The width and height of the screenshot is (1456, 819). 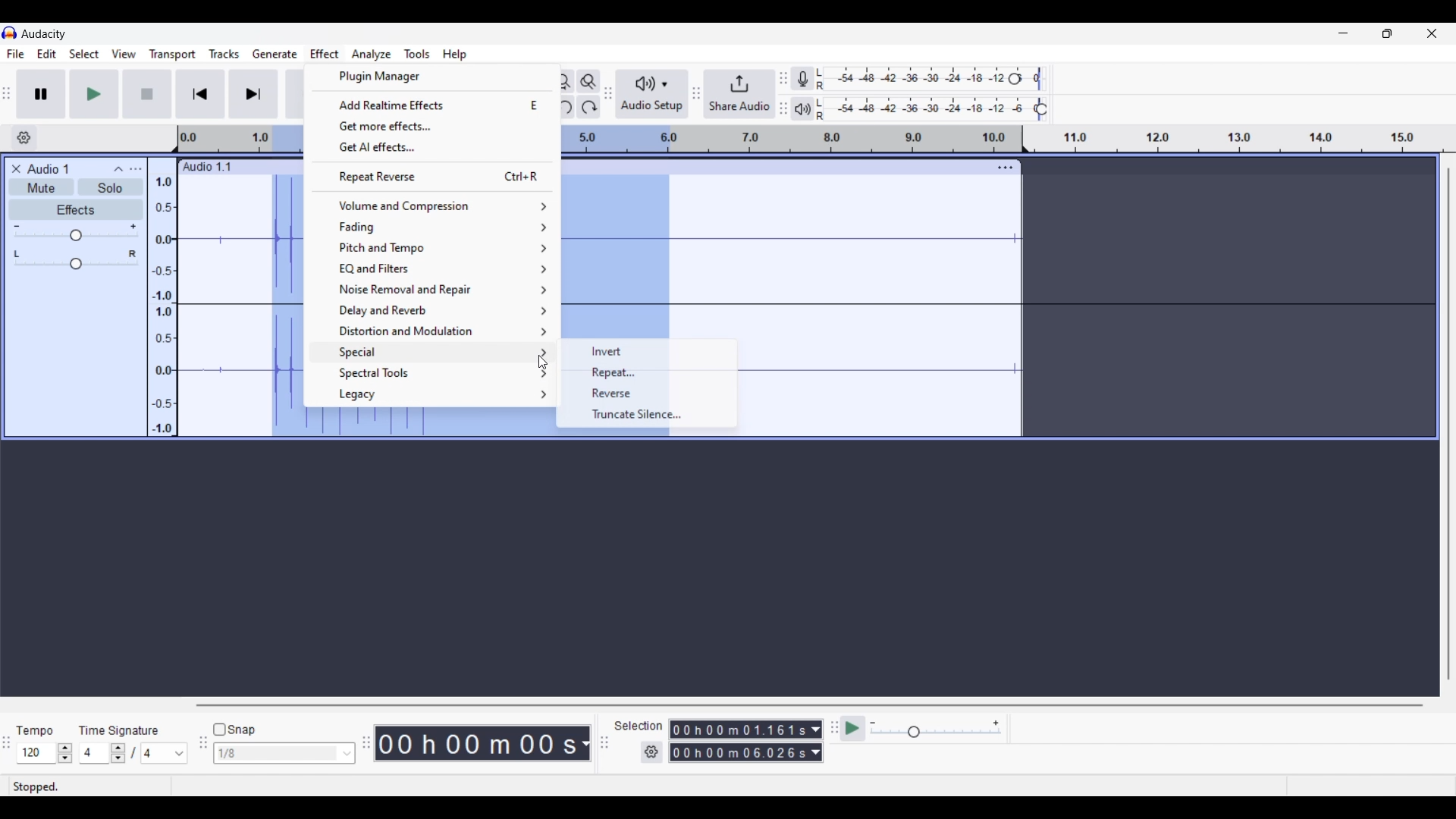 What do you see at coordinates (1246, 139) in the screenshot?
I see `Scale to measure duration of recording` at bounding box center [1246, 139].